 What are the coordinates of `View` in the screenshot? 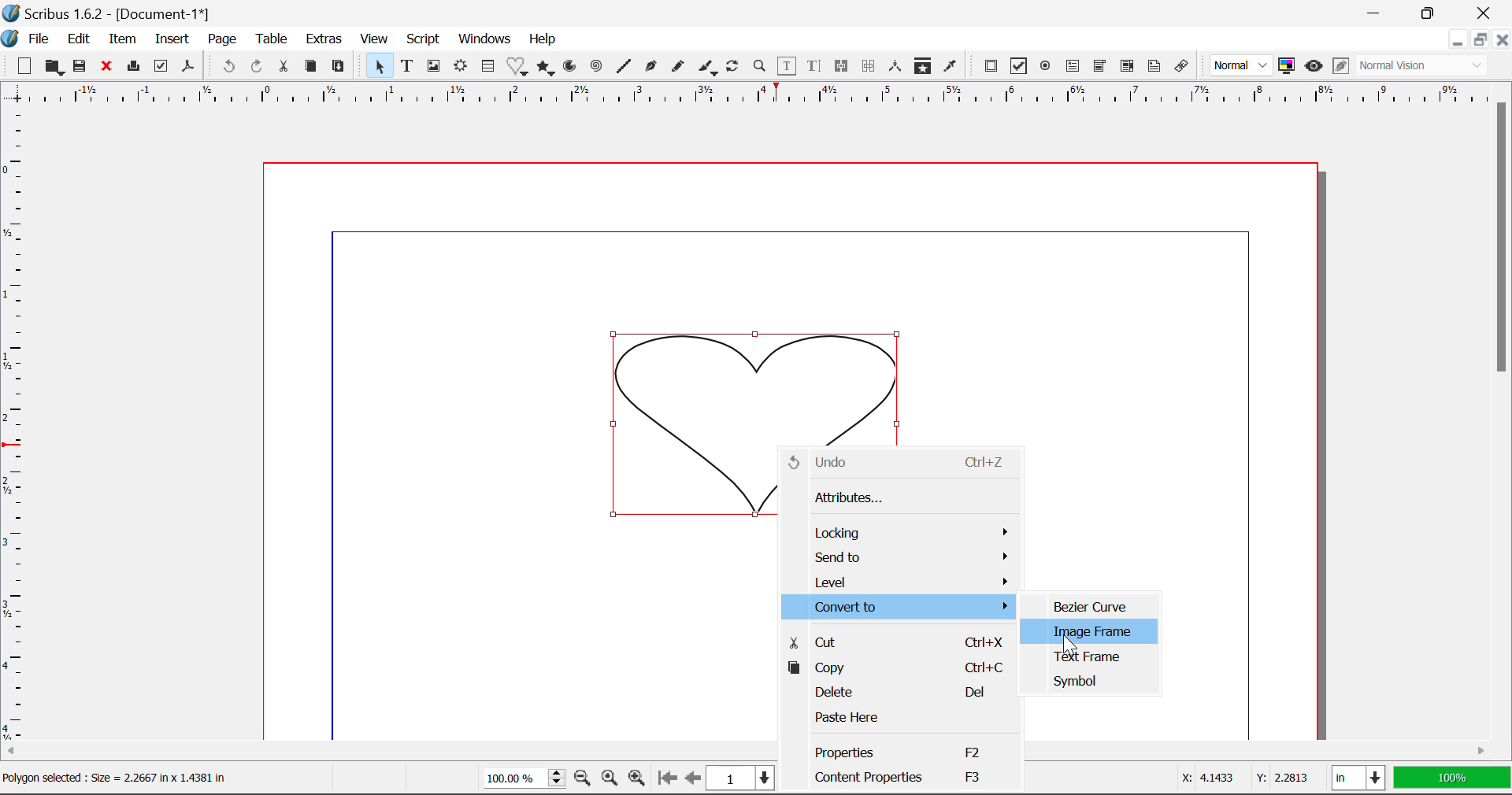 It's located at (375, 41).